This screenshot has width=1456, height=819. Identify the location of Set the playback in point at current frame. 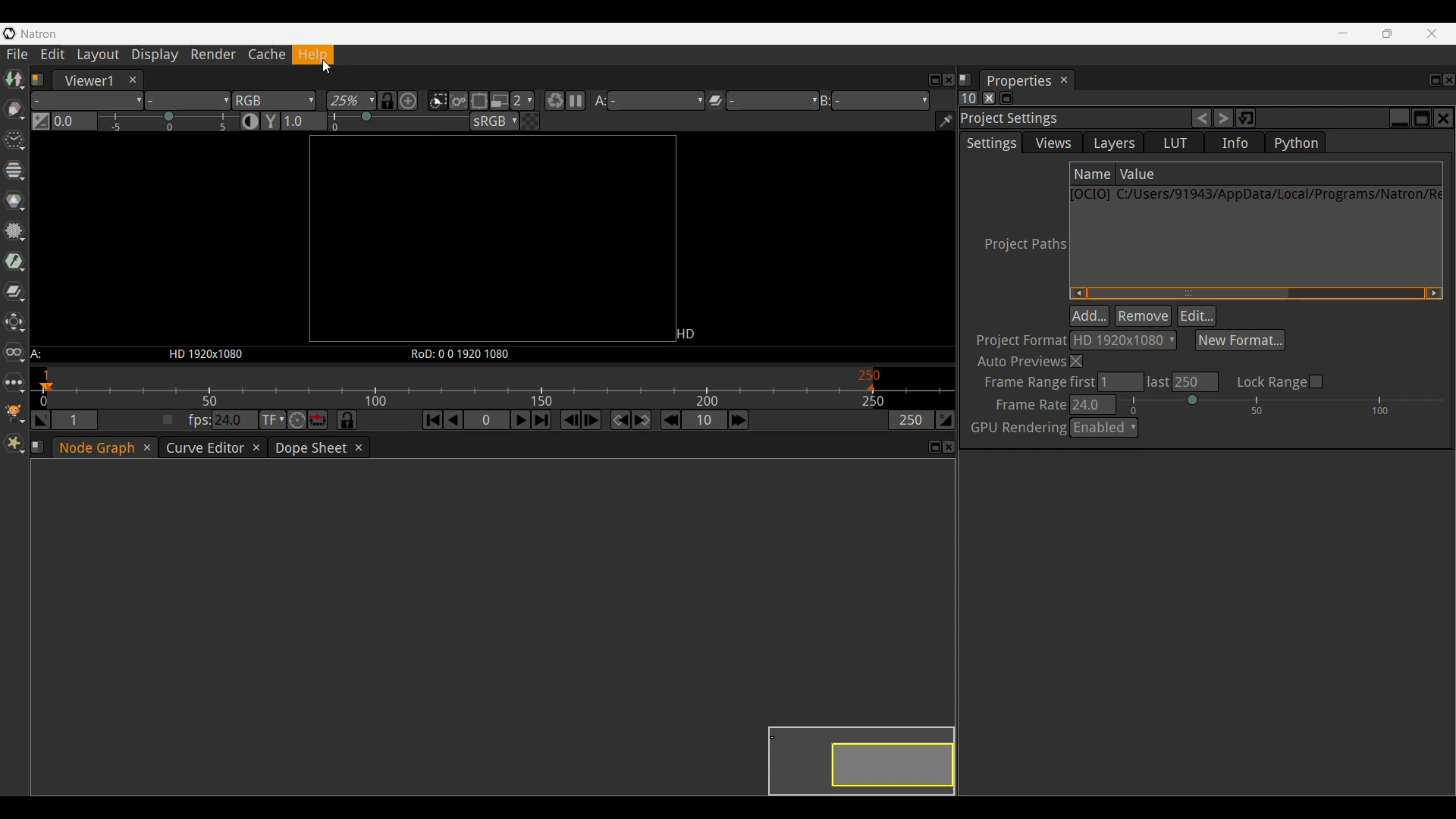
(40, 419).